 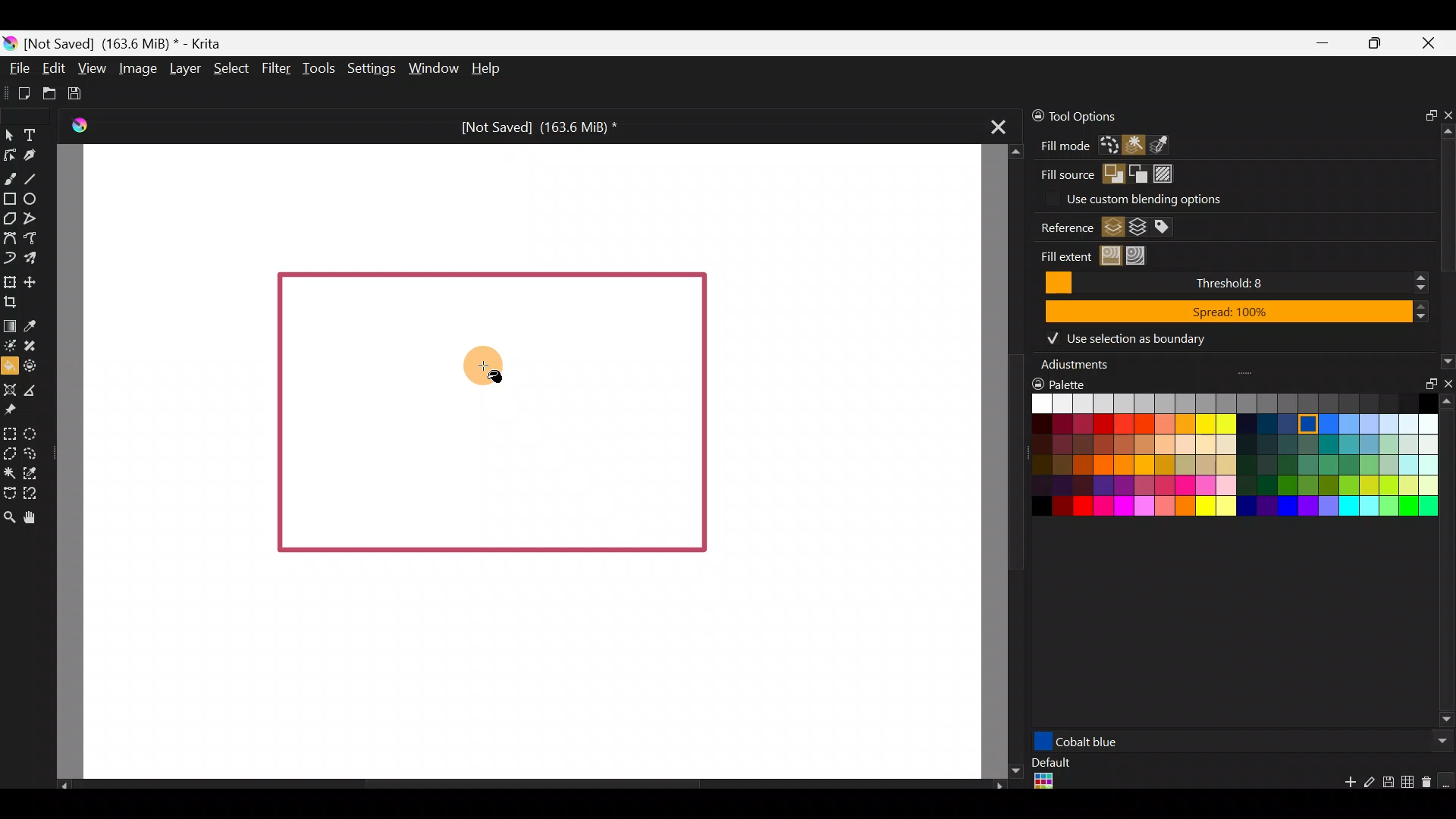 What do you see at coordinates (80, 94) in the screenshot?
I see `Save` at bounding box center [80, 94].